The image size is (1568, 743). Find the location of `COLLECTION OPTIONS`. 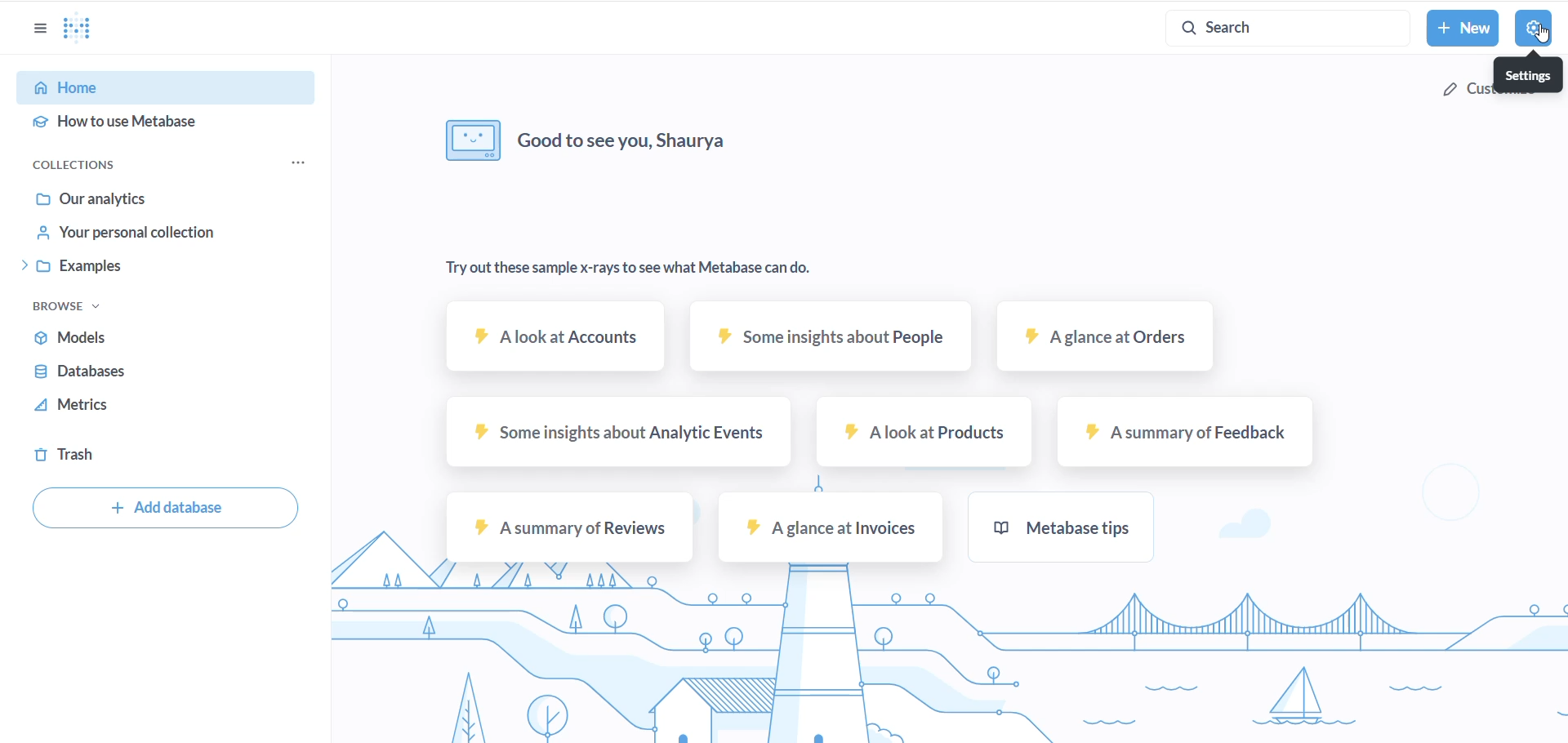

COLLECTION OPTIONS is located at coordinates (293, 162).